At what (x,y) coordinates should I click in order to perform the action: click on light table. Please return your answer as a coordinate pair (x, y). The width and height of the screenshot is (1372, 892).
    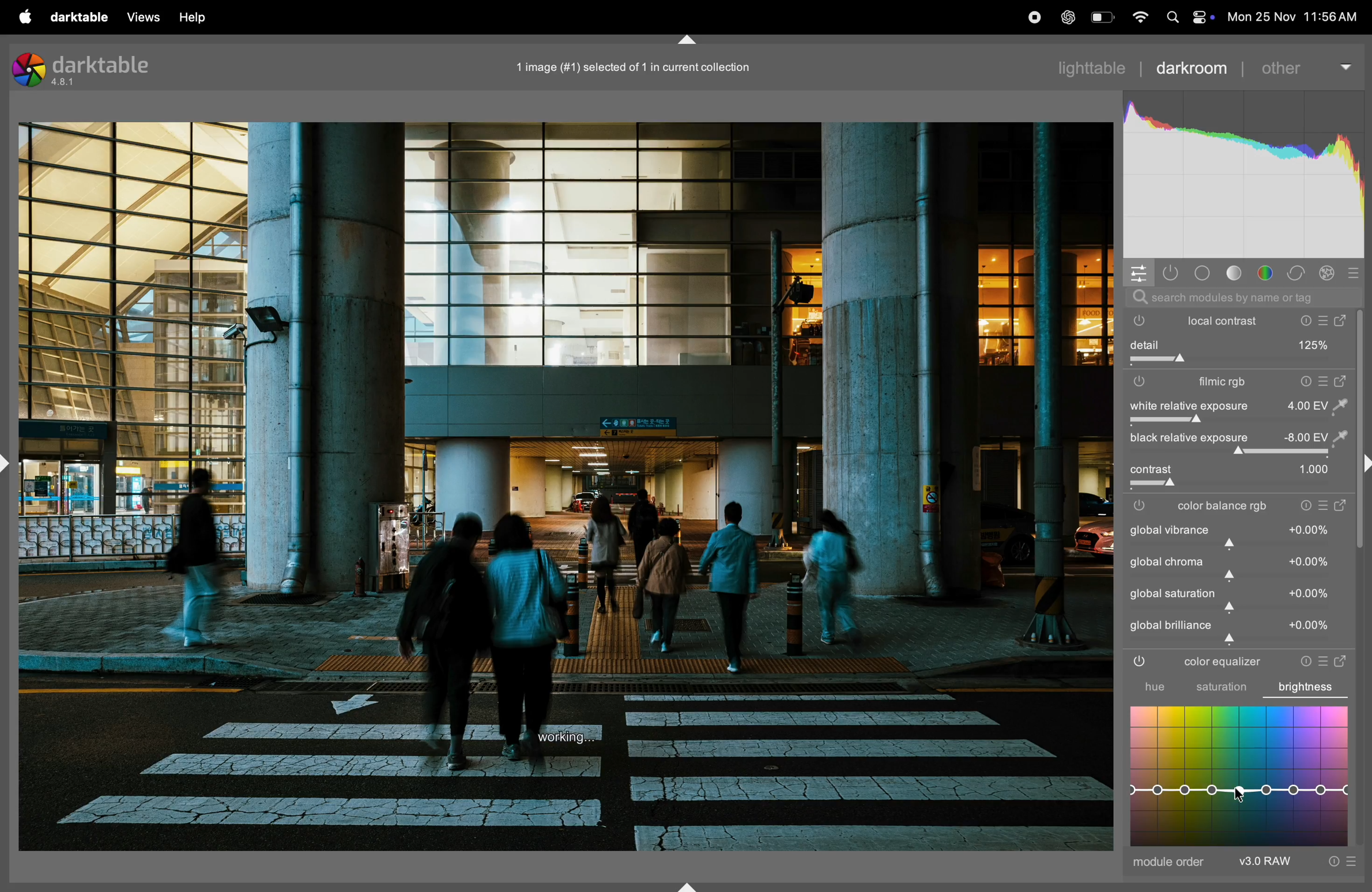
    Looking at the image, I should click on (1092, 66).